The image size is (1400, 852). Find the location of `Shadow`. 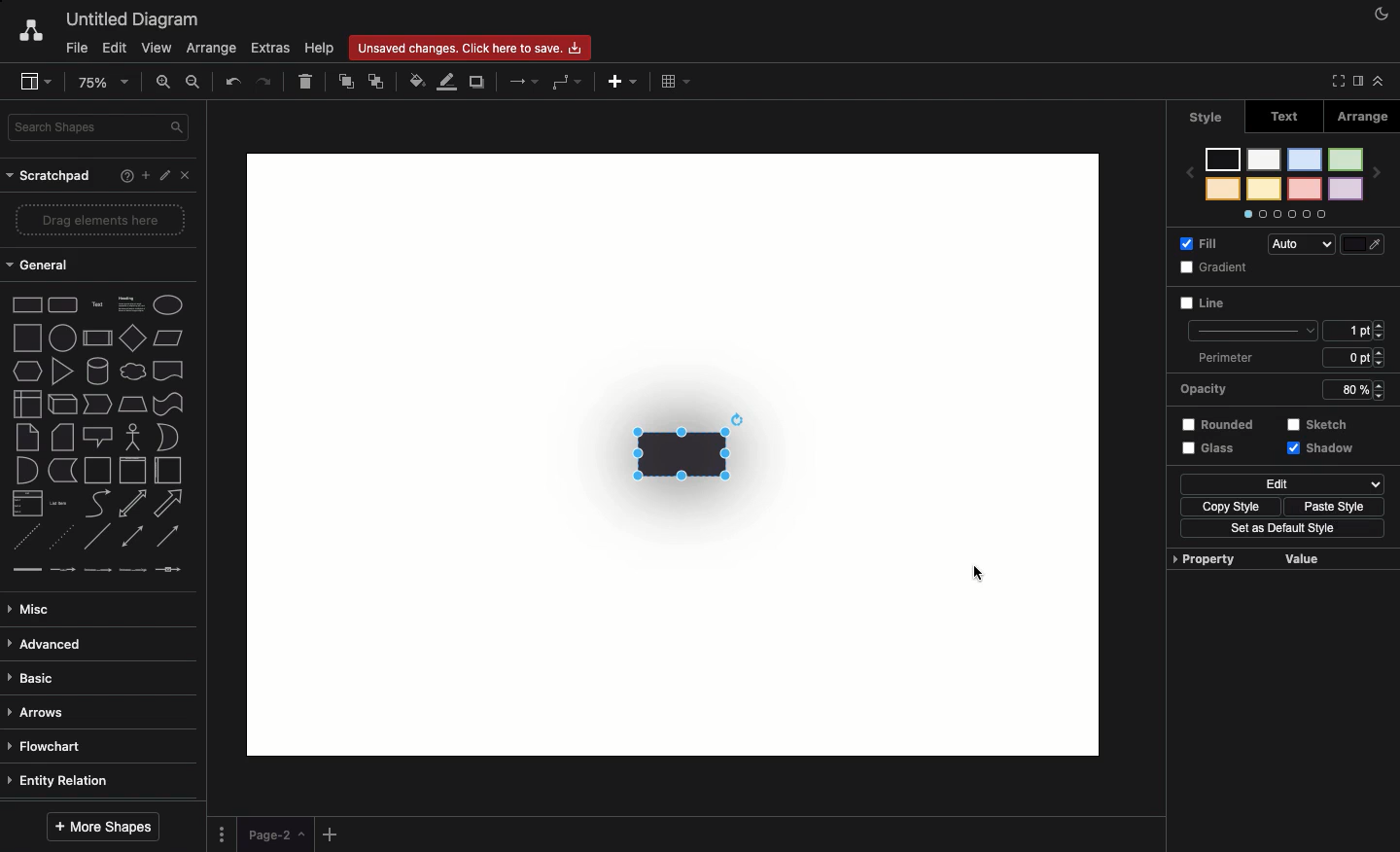

Shadow is located at coordinates (1323, 449).